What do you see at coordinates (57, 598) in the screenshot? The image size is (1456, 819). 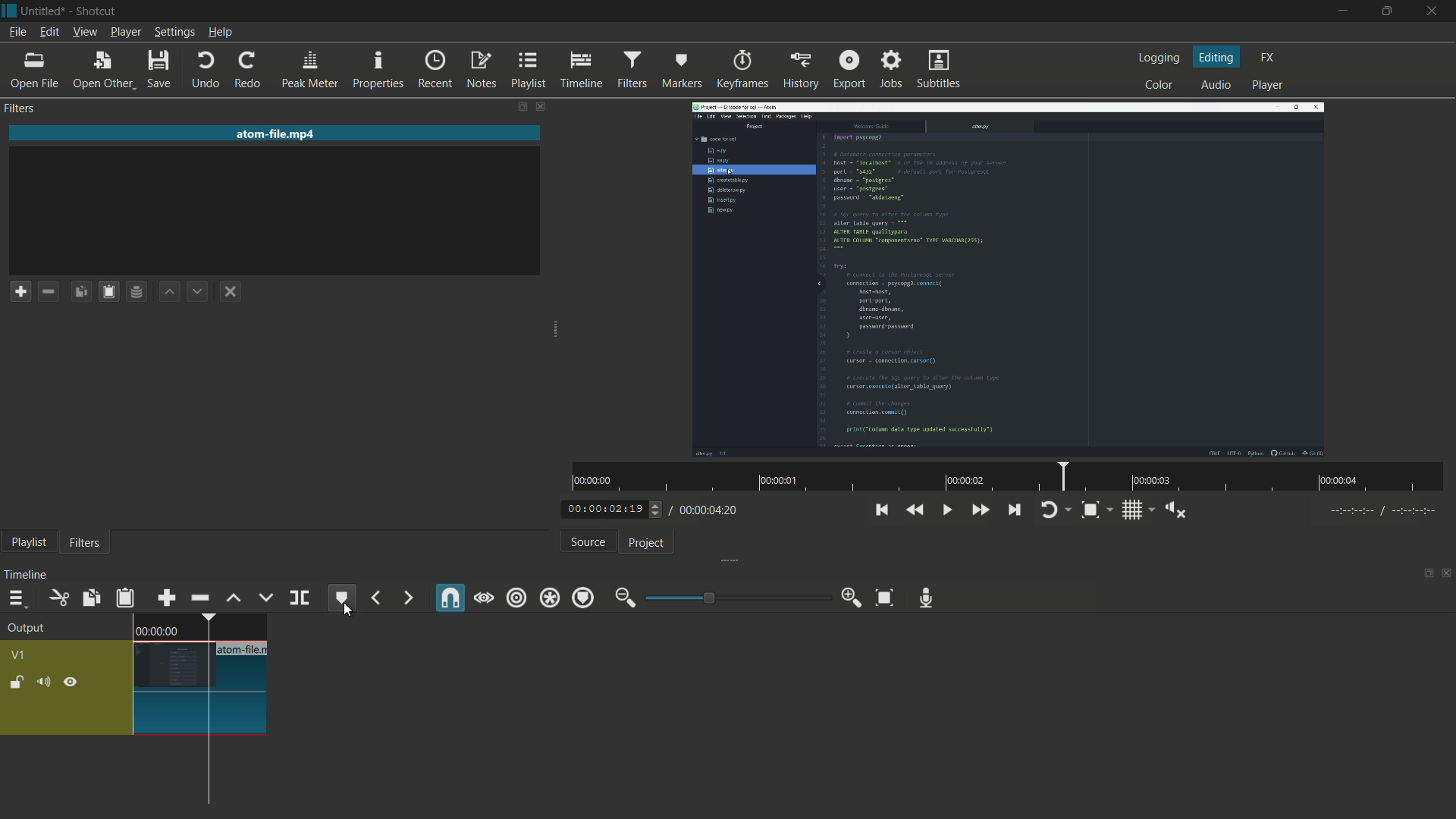 I see `cut` at bounding box center [57, 598].